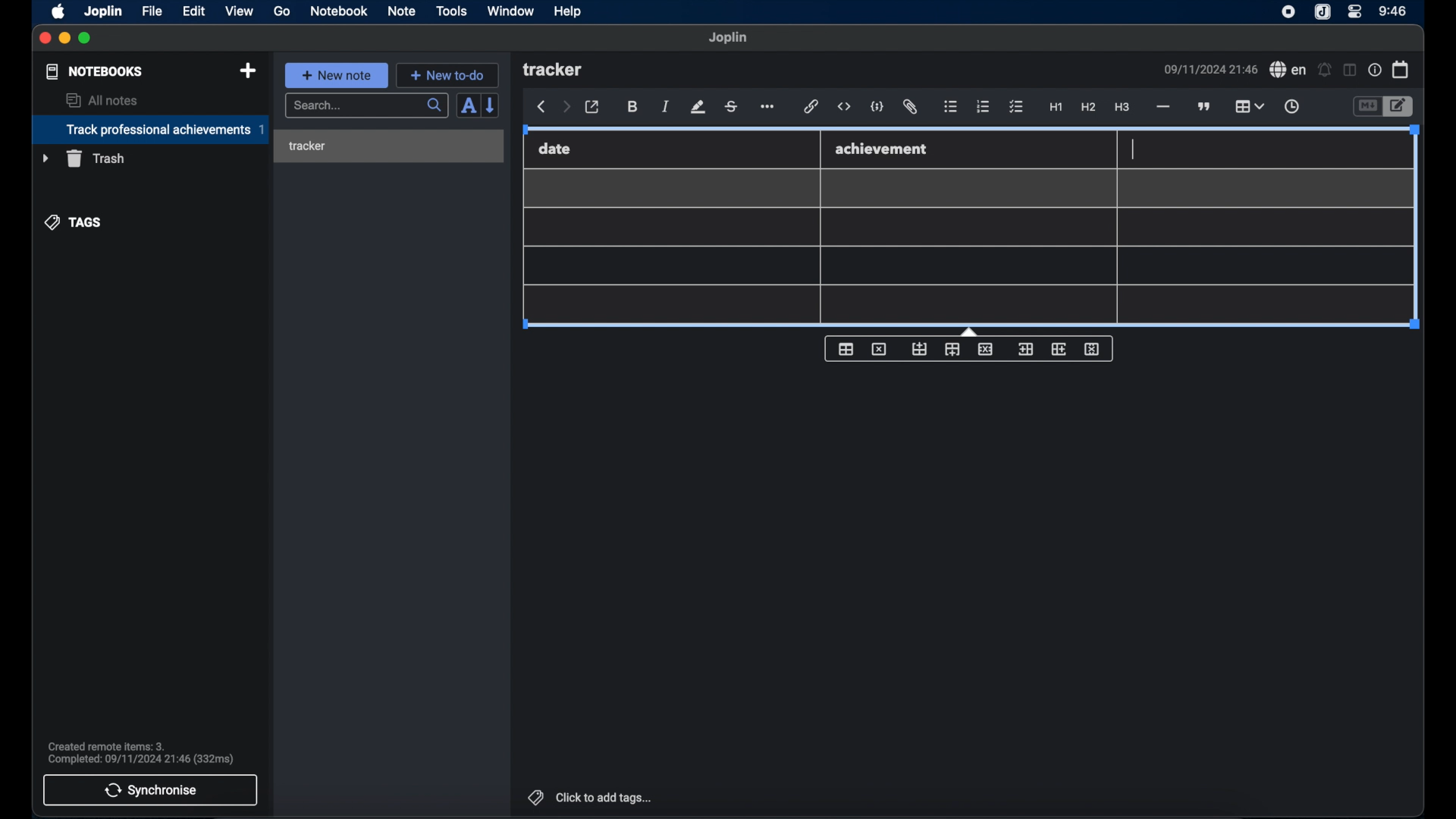 The height and width of the screenshot is (819, 1456). What do you see at coordinates (951, 108) in the screenshot?
I see `bulleted list` at bounding box center [951, 108].